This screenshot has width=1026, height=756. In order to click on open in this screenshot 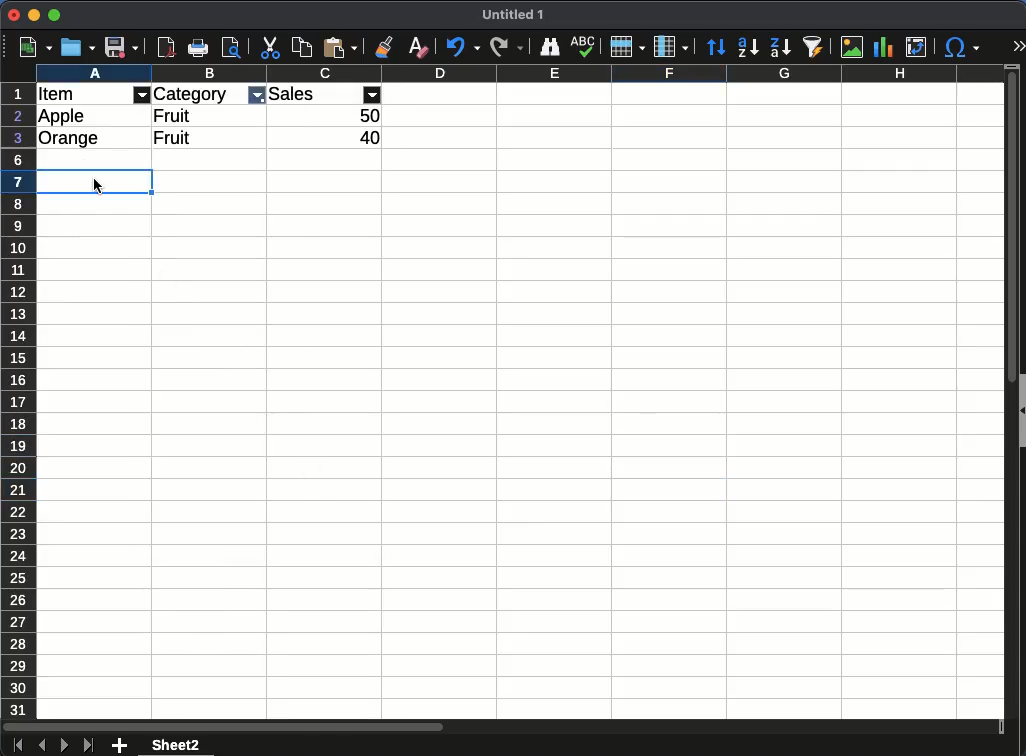, I will do `click(79, 47)`.